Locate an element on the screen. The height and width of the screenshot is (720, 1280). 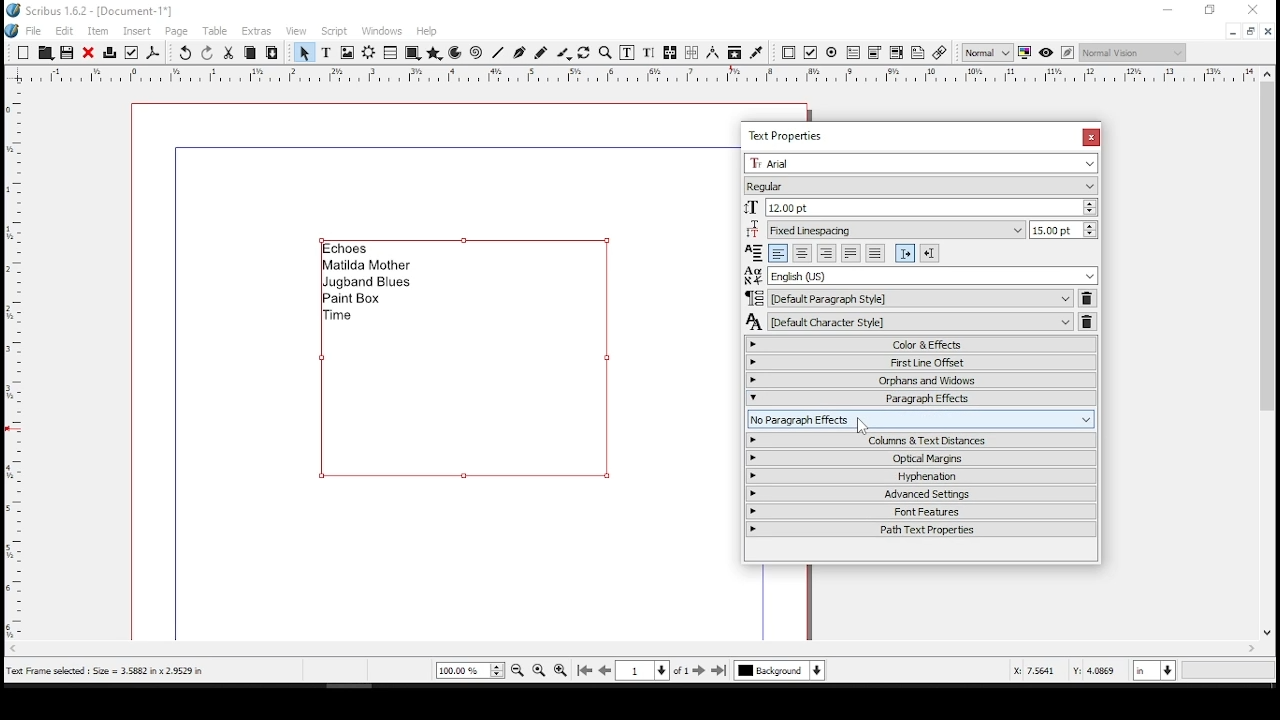
font features is located at coordinates (919, 513).